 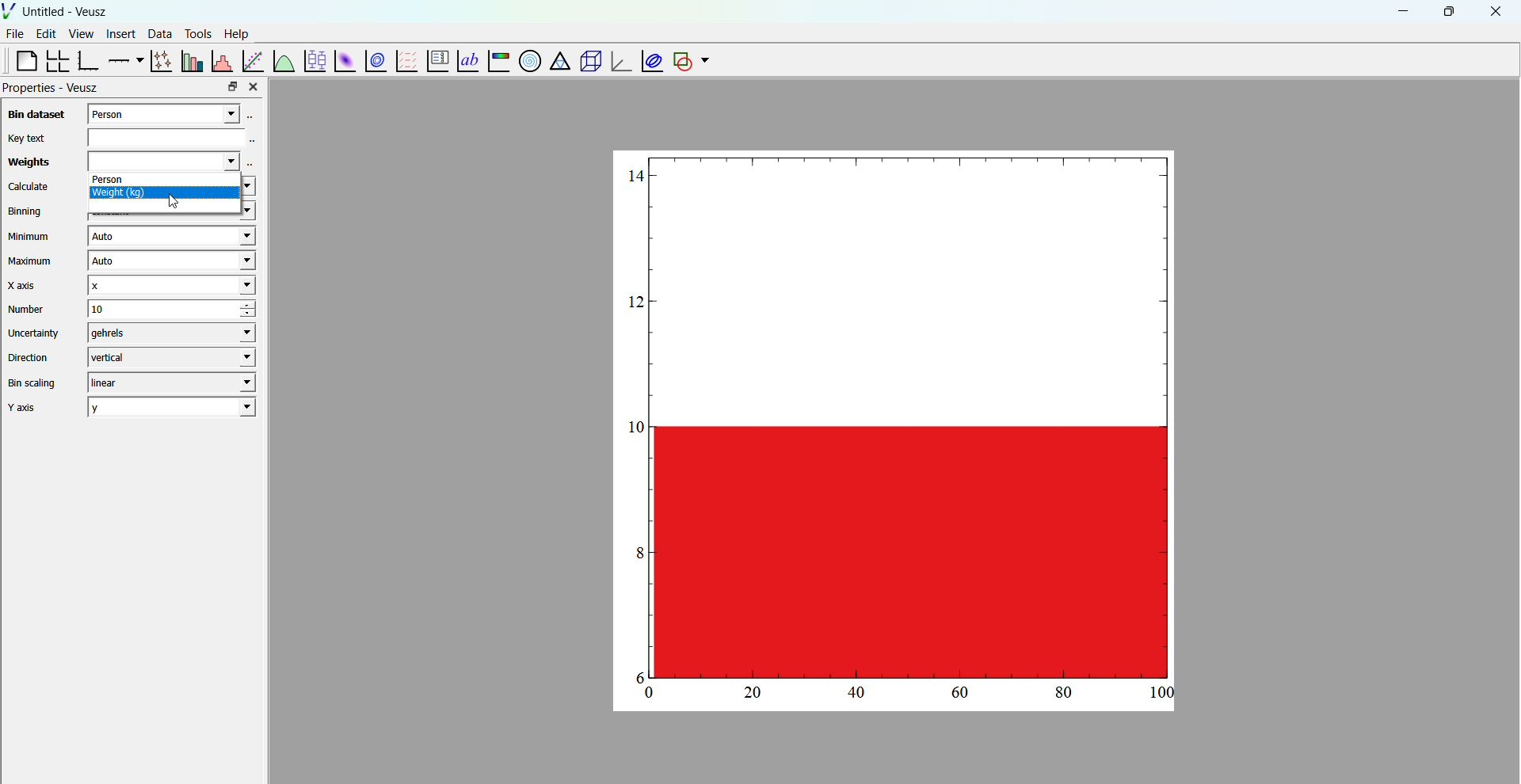 What do you see at coordinates (170, 237) in the screenshot?
I see `Auto ` at bounding box center [170, 237].